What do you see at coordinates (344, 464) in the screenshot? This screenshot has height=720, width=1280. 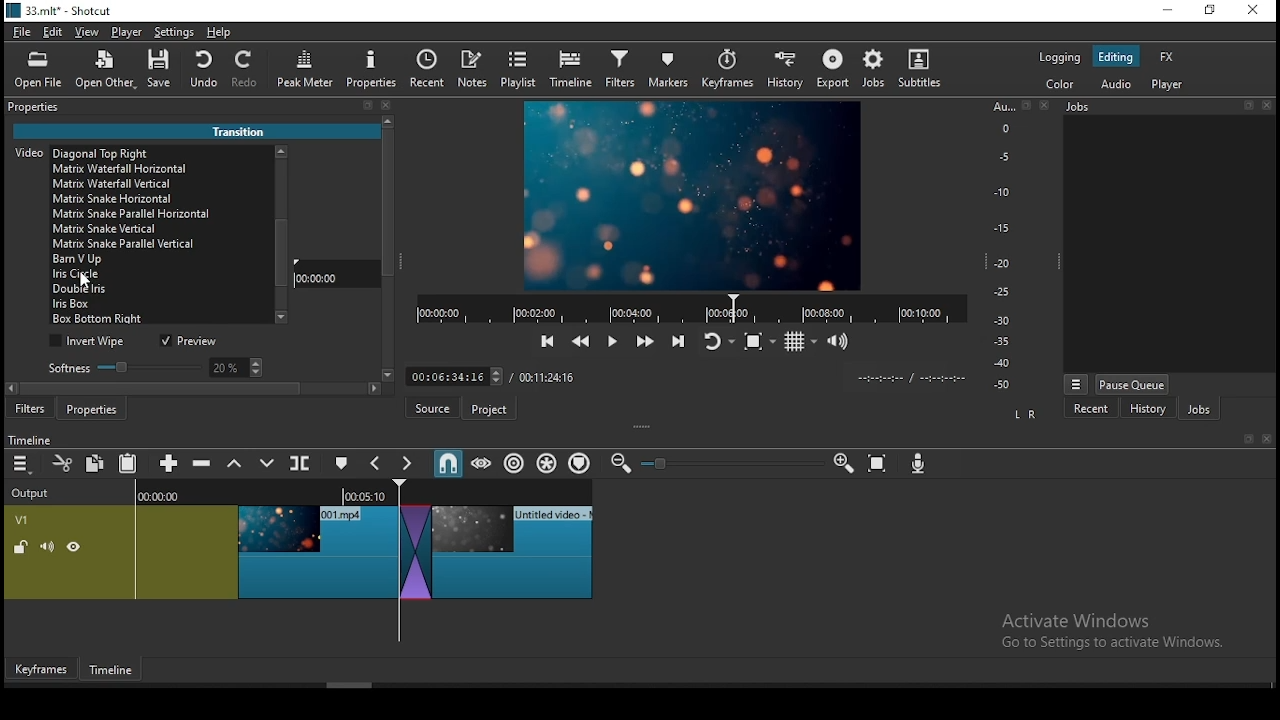 I see `create/edit marker` at bounding box center [344, 464].